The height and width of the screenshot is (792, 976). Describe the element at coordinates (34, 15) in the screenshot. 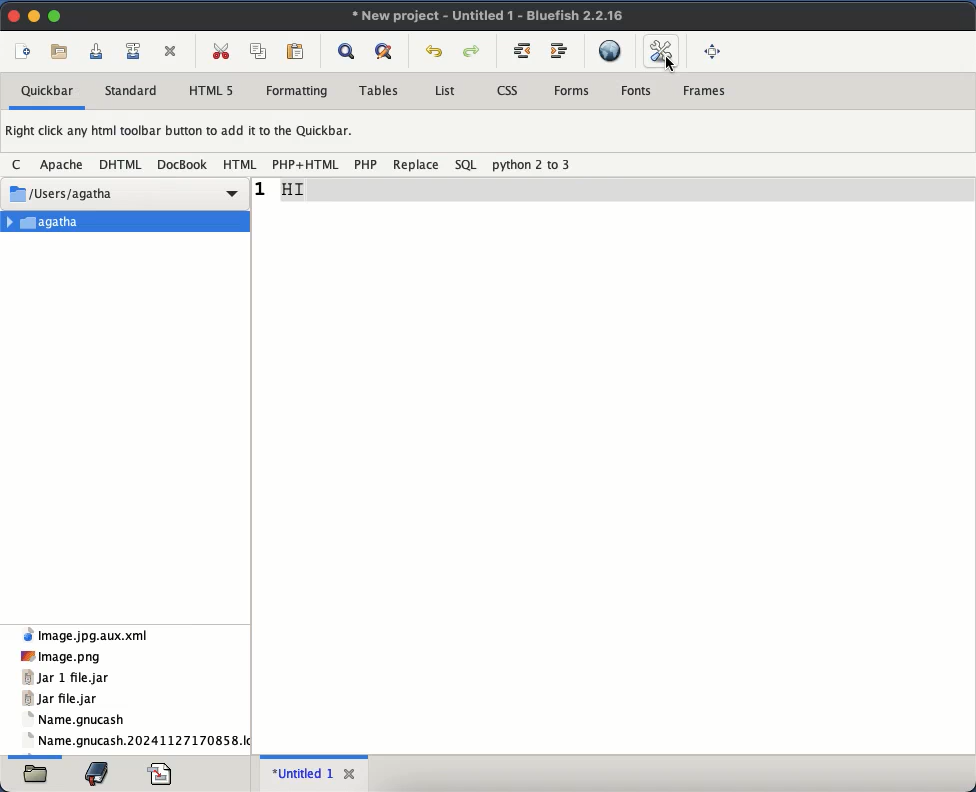

I see `minimize` at that location.